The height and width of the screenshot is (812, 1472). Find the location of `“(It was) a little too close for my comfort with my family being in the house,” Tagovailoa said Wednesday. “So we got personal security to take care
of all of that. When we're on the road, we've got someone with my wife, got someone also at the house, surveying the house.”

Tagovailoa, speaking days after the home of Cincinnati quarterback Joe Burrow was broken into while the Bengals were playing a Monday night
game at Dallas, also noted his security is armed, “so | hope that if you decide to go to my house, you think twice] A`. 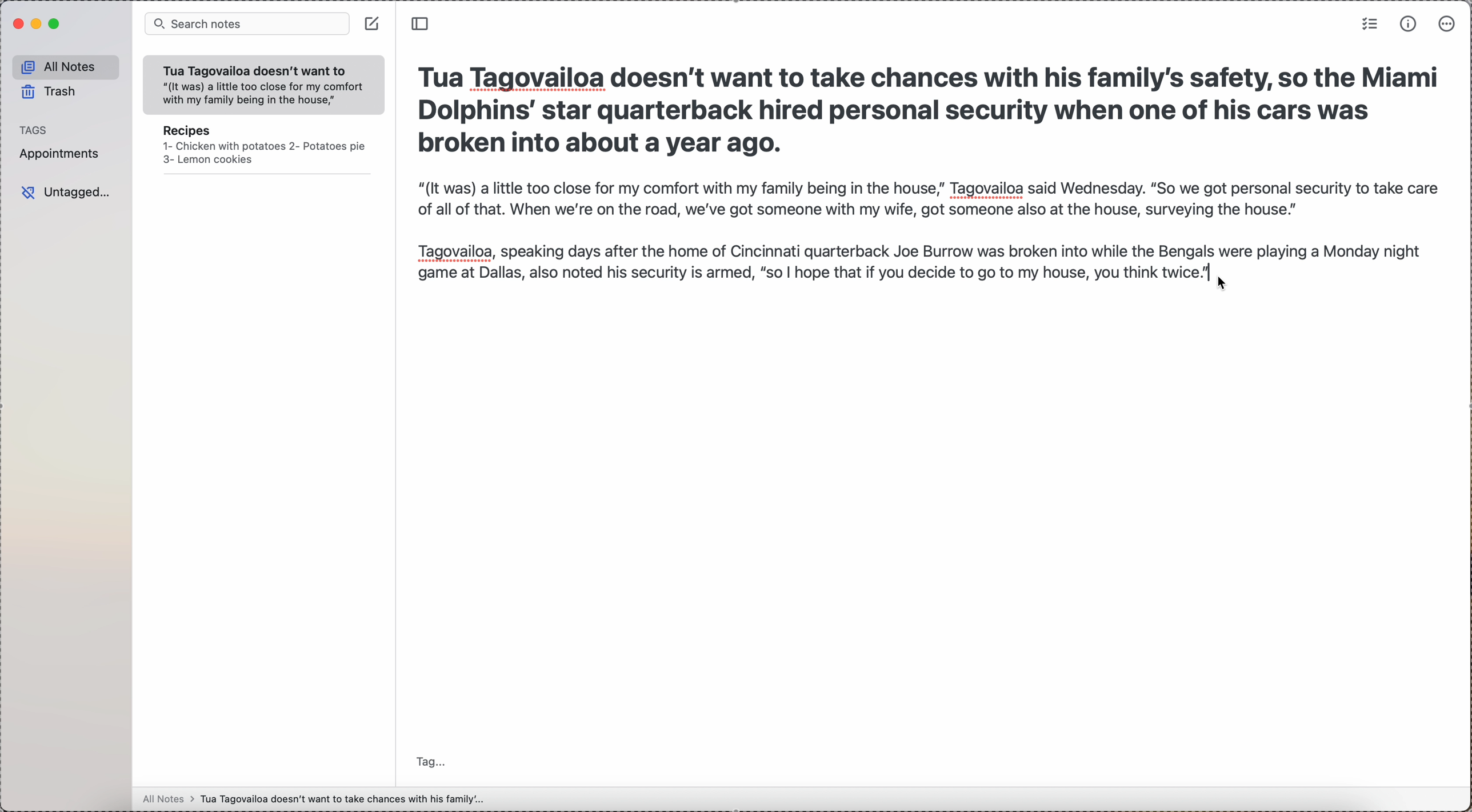

“(It was) a little too close for my comfort with my family being in the house,” Tagovailoa said Wednesday. “So we got personal security to take care
of all of that. When we're on the road, we've got someone with my wife, got someone also at the house, surveying the house.”

Tagovailoa, speaking days after the home of Cincinnati quarterback Joe Burrow was broken into while the Bengals were playing a Monday night
game at Dallas, also noted his security is armed, “so | hope that if you decide to go to my house, you think twice] A is located at coordinates (923, 232).